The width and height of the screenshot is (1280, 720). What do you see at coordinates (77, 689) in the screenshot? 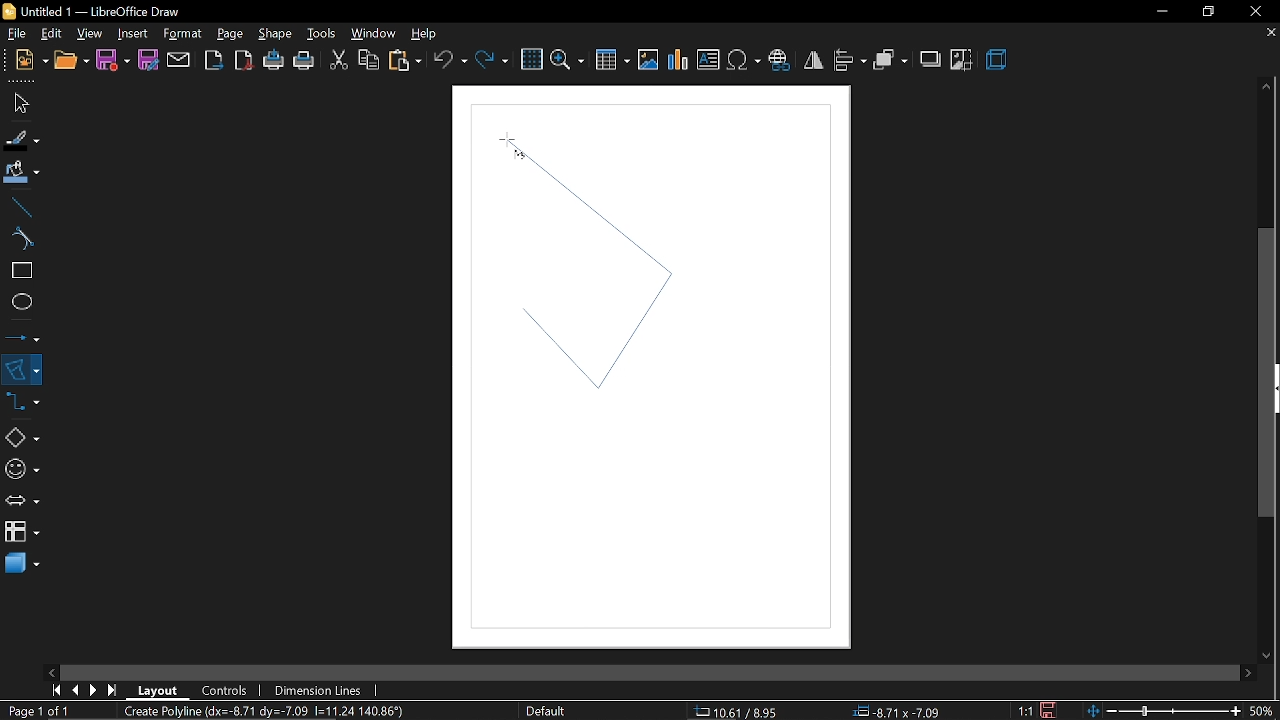
I see `previous page` at bounding box center [77, 689].